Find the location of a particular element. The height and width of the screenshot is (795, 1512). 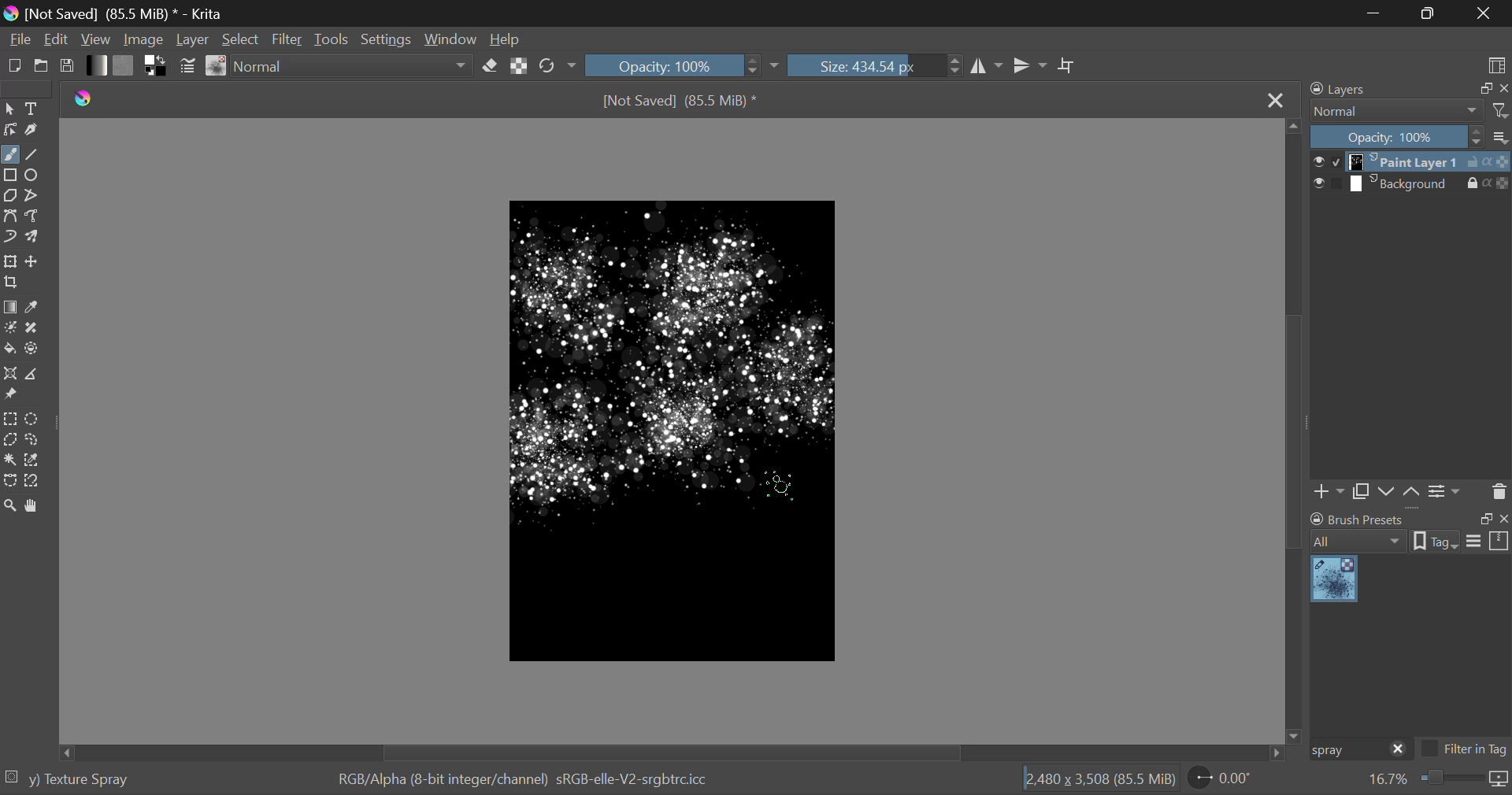

options is located at coordinates (1488, 540).